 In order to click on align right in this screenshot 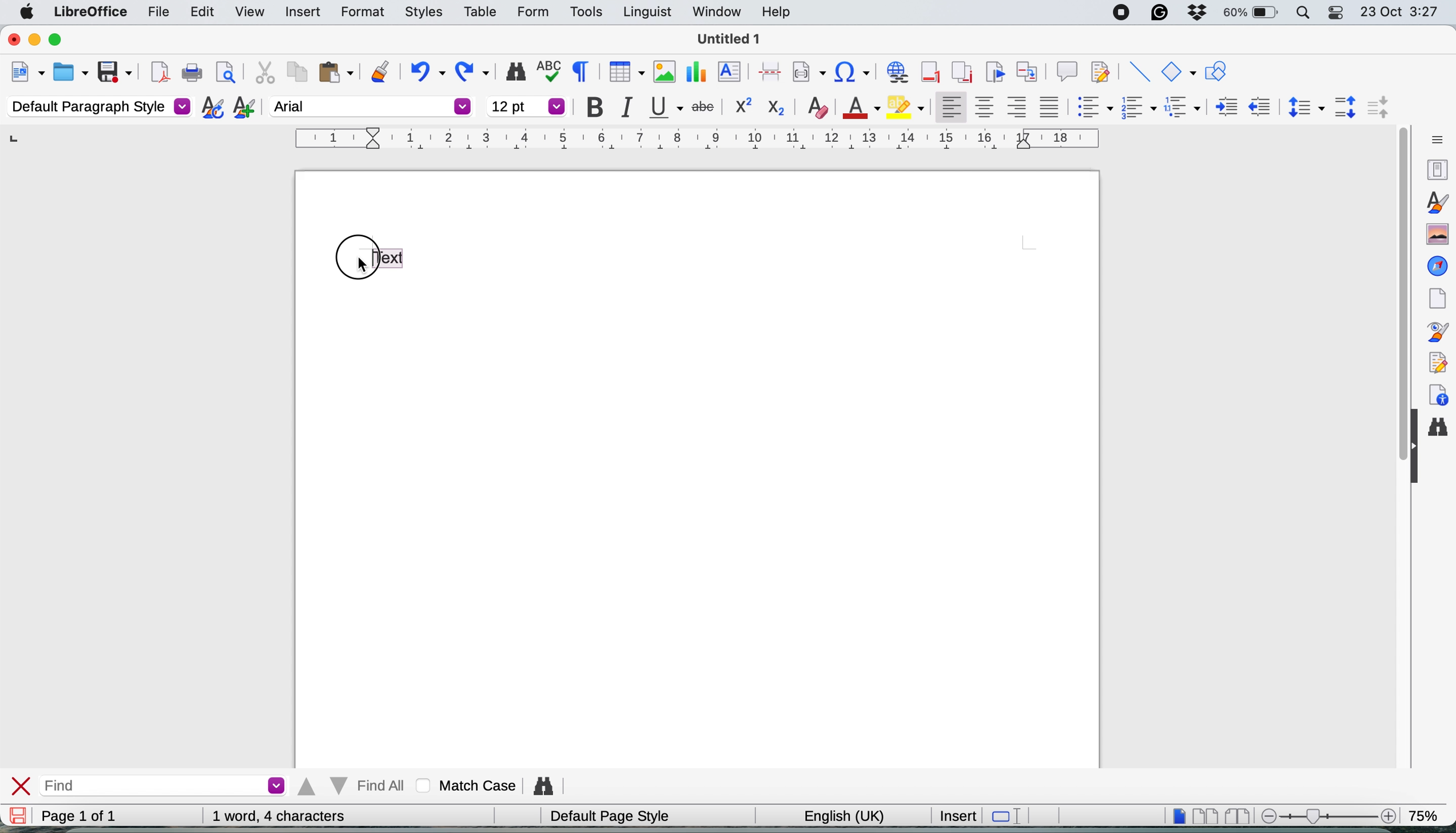, I will do `click(1018, 109)`.